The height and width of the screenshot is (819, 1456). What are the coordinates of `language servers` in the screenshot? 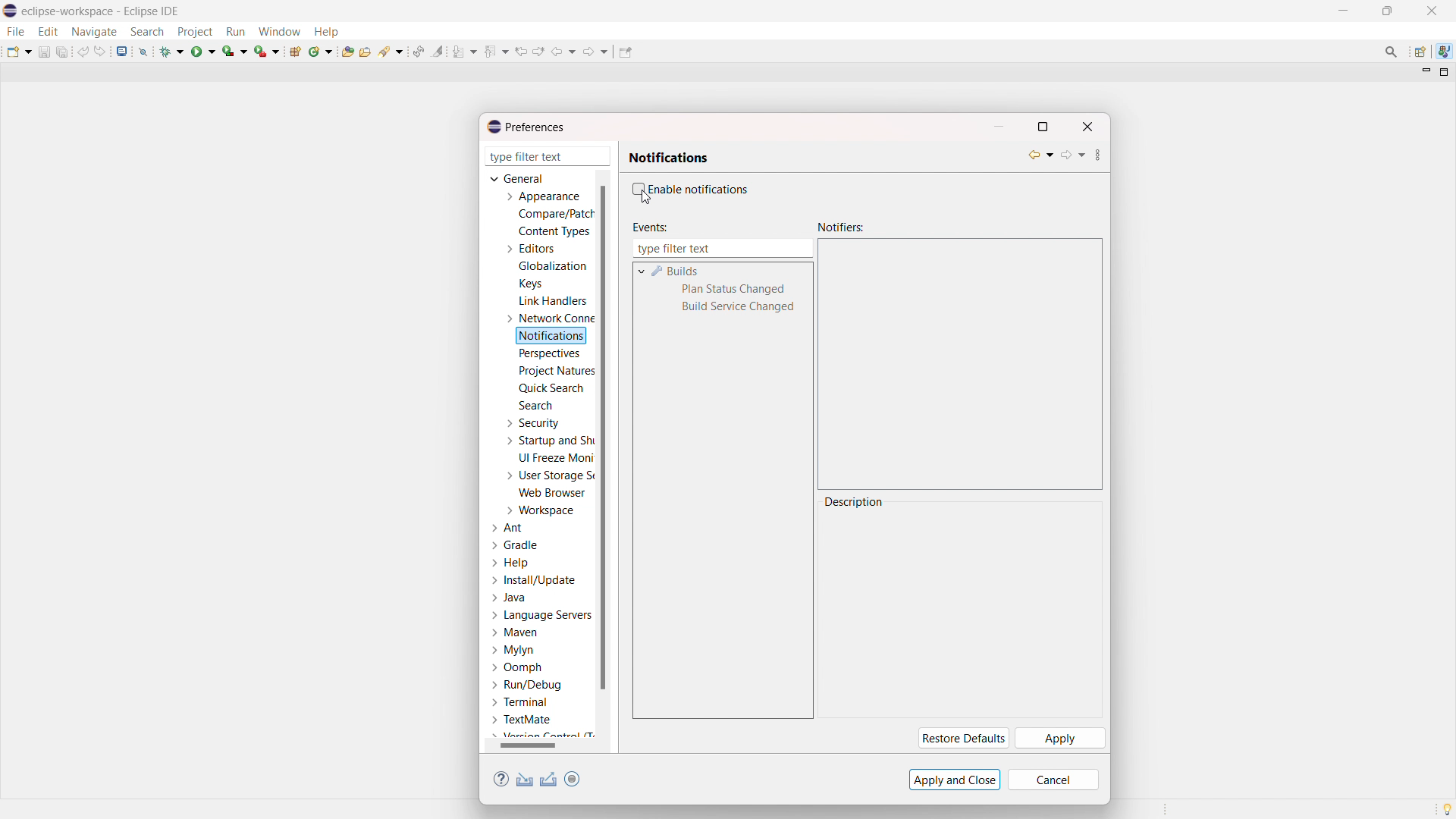 It's located at (541, 615).